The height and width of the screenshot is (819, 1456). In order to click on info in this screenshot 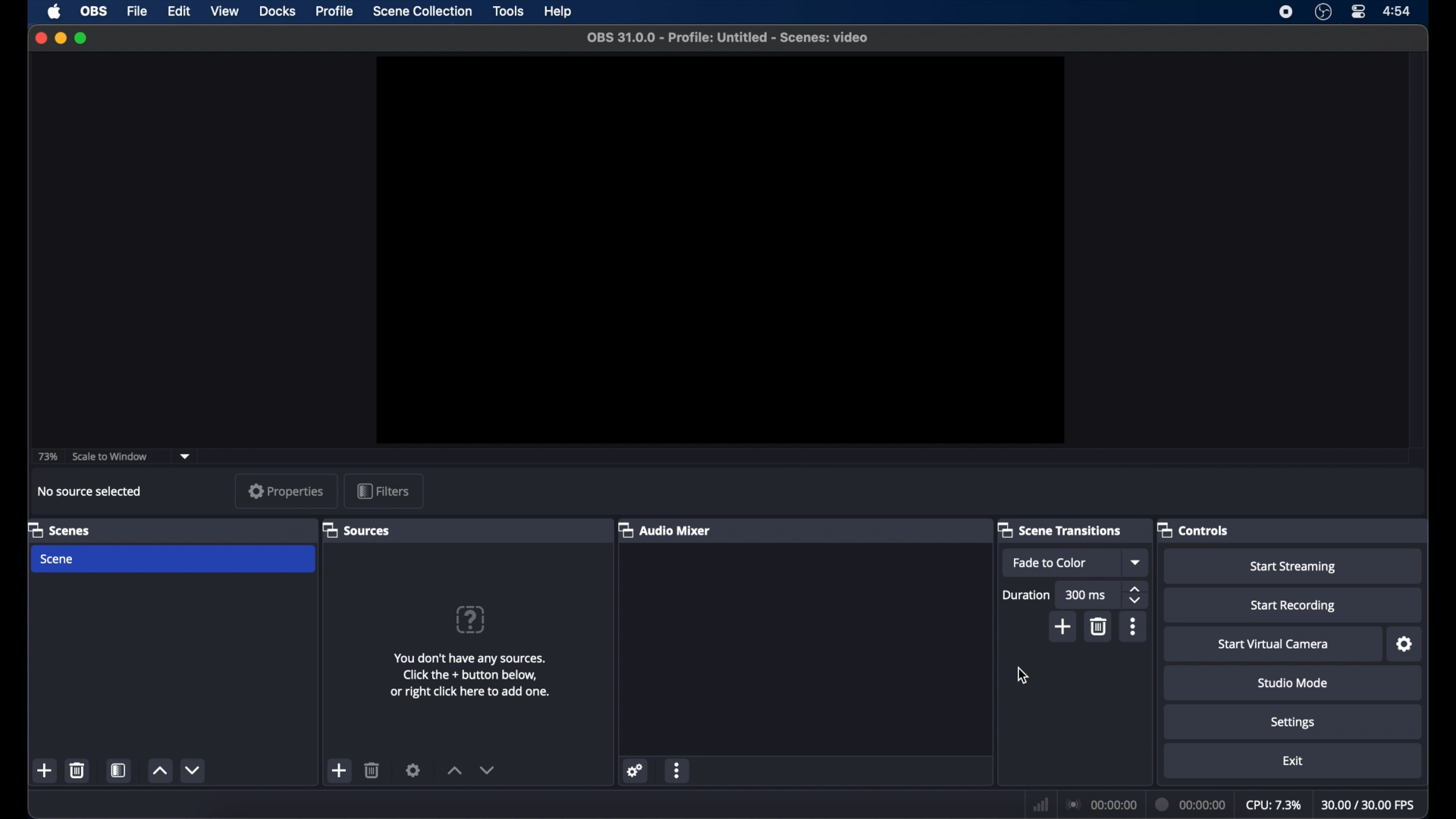, I will do `click(470, 675)`.